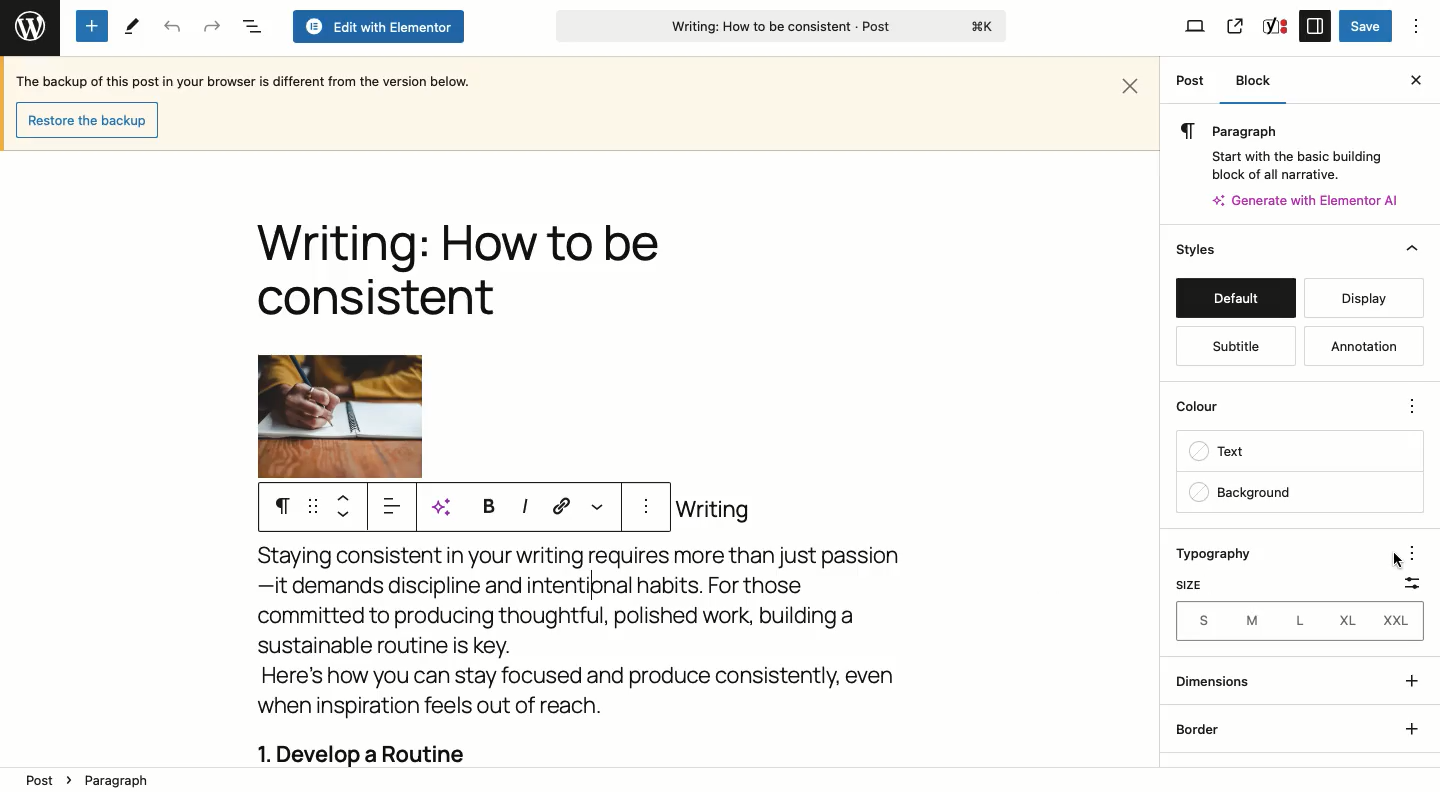 The height and width of the screenshot is (792, 1440). What do you see at coordinates (1194, 584) in the screenshot?
I see `Size` at bounding box center [1194, 584].